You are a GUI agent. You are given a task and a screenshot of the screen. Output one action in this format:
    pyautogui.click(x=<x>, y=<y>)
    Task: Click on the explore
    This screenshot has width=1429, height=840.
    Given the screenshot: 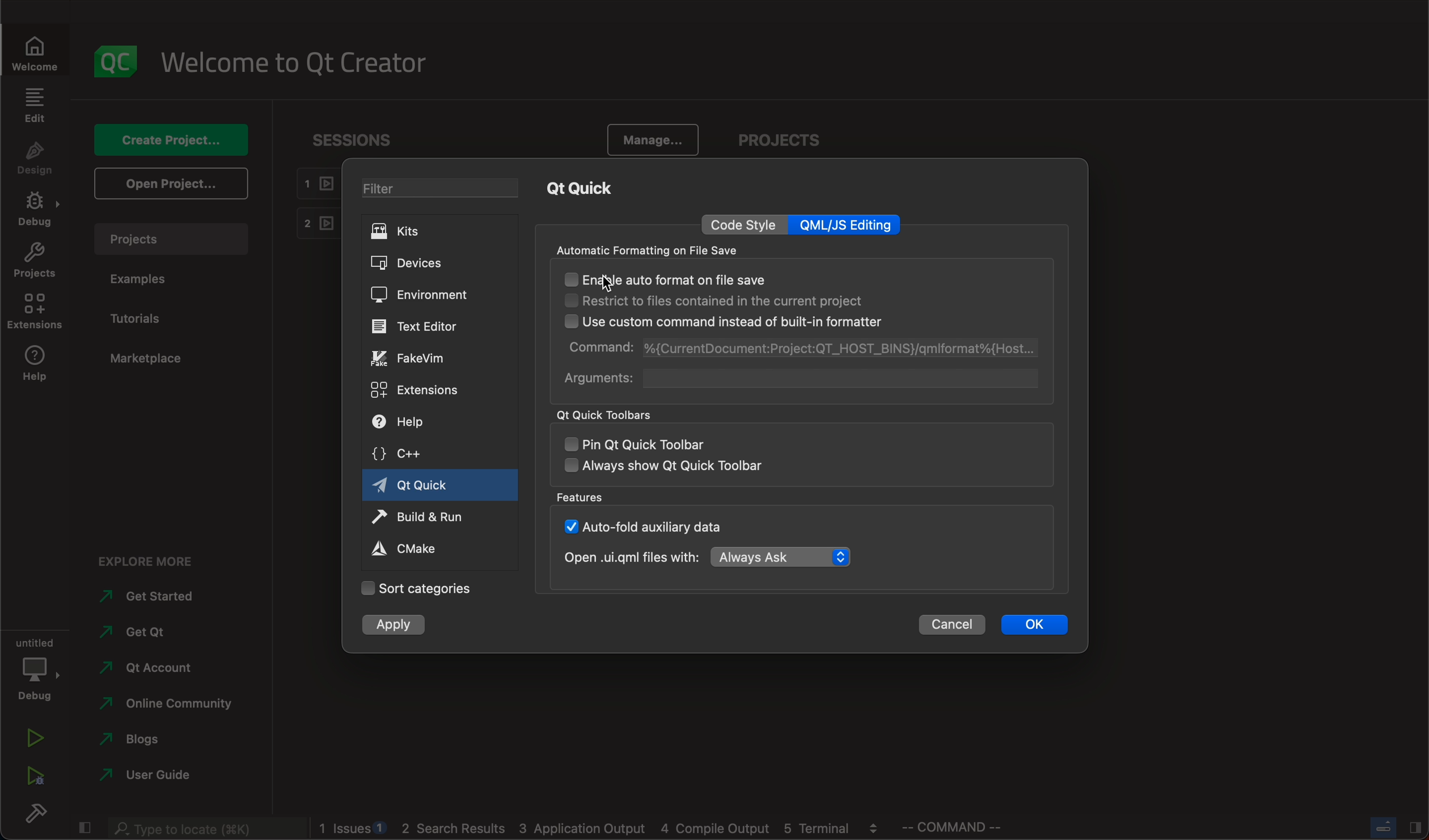 What is the action you would take?
    pyautogui.click(x=150, y=561)
    